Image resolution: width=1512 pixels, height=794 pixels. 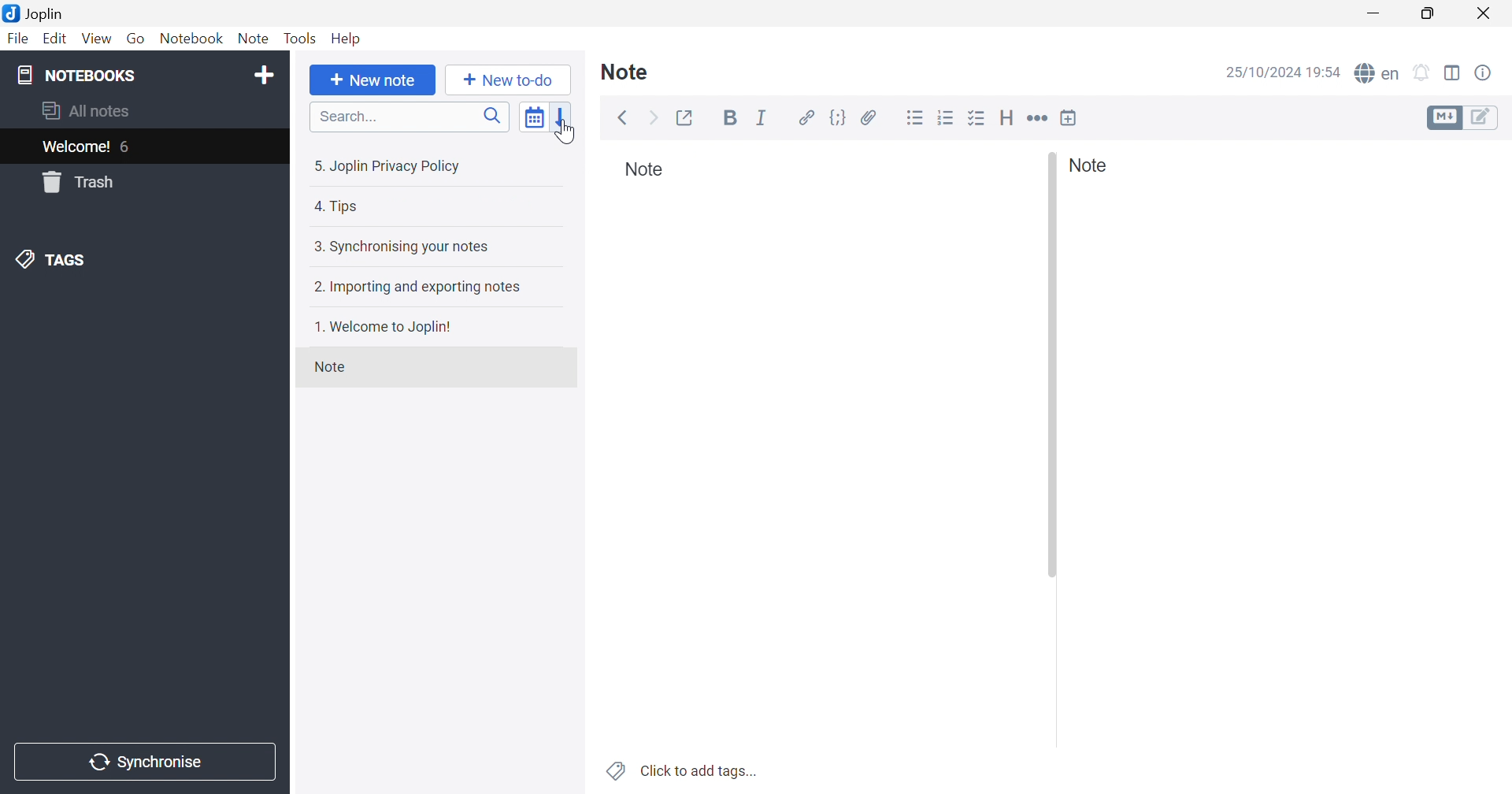 I want to click on Toggle sort order field: updated date -> created date, so click(x=535, y=121).